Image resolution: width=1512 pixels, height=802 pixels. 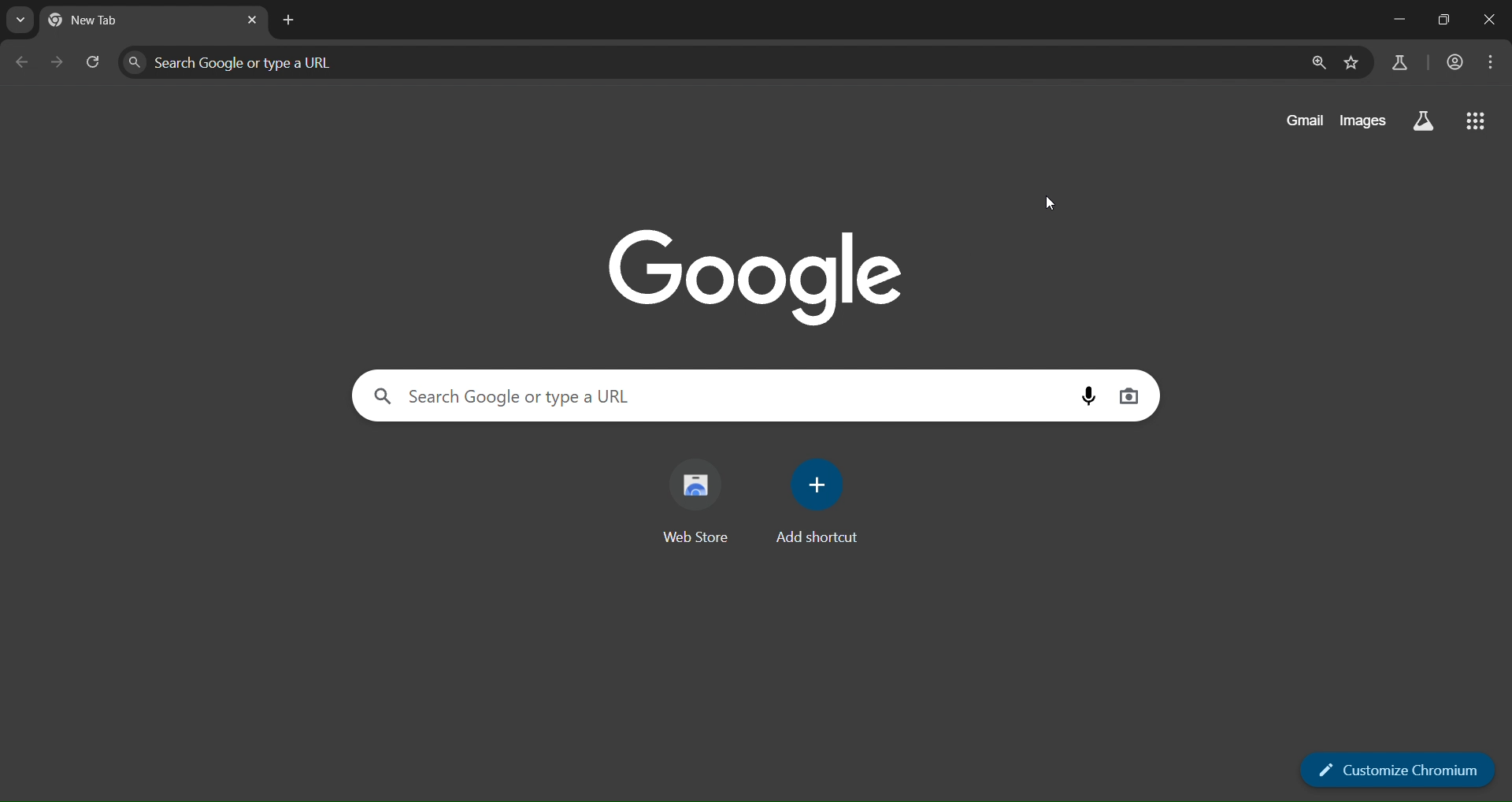 What do you see at coordinates (290, 20) in the screenshot?
I see `new tab` at bounding box center [290, 20].